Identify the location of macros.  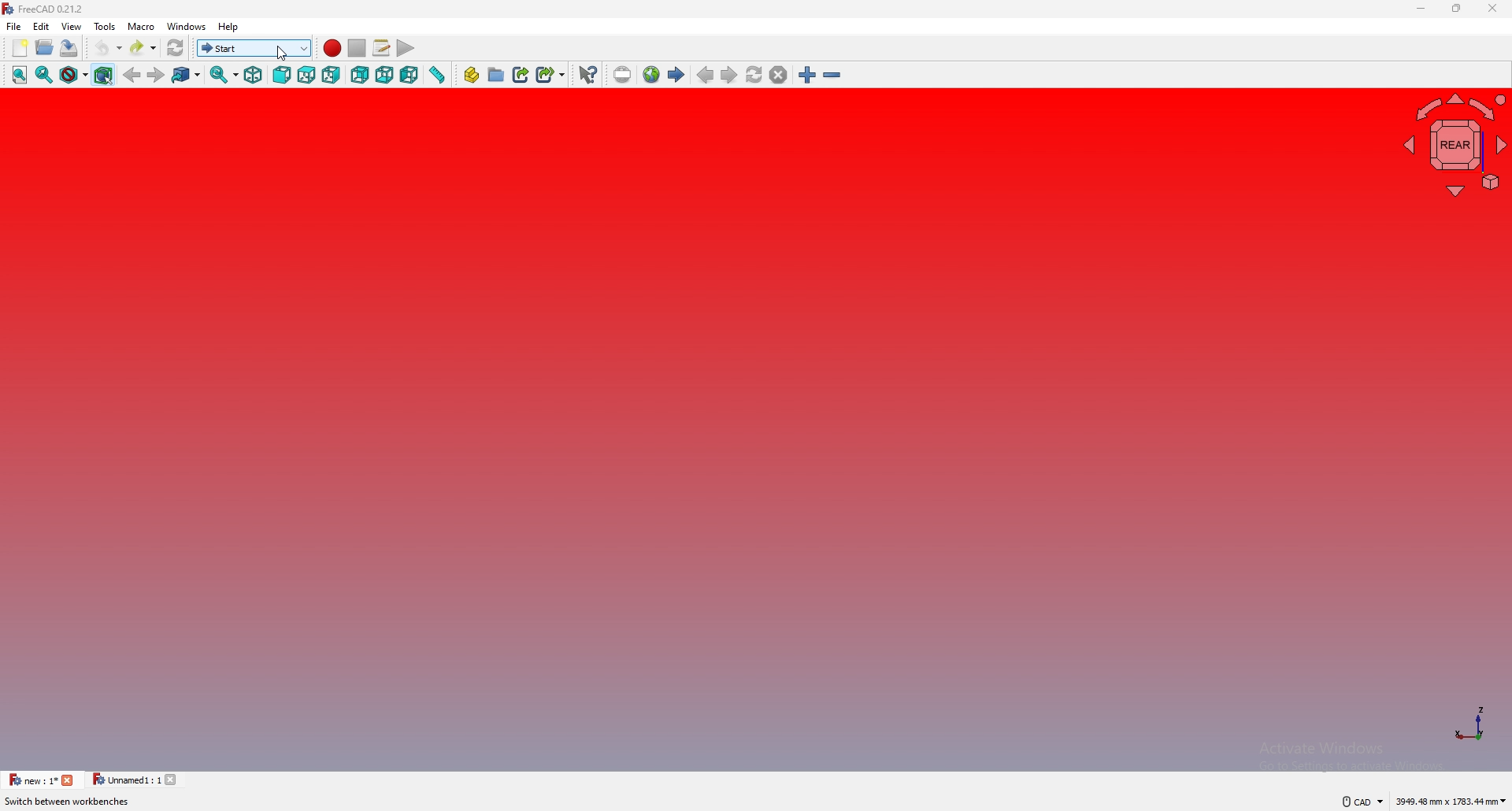
(381, 48).